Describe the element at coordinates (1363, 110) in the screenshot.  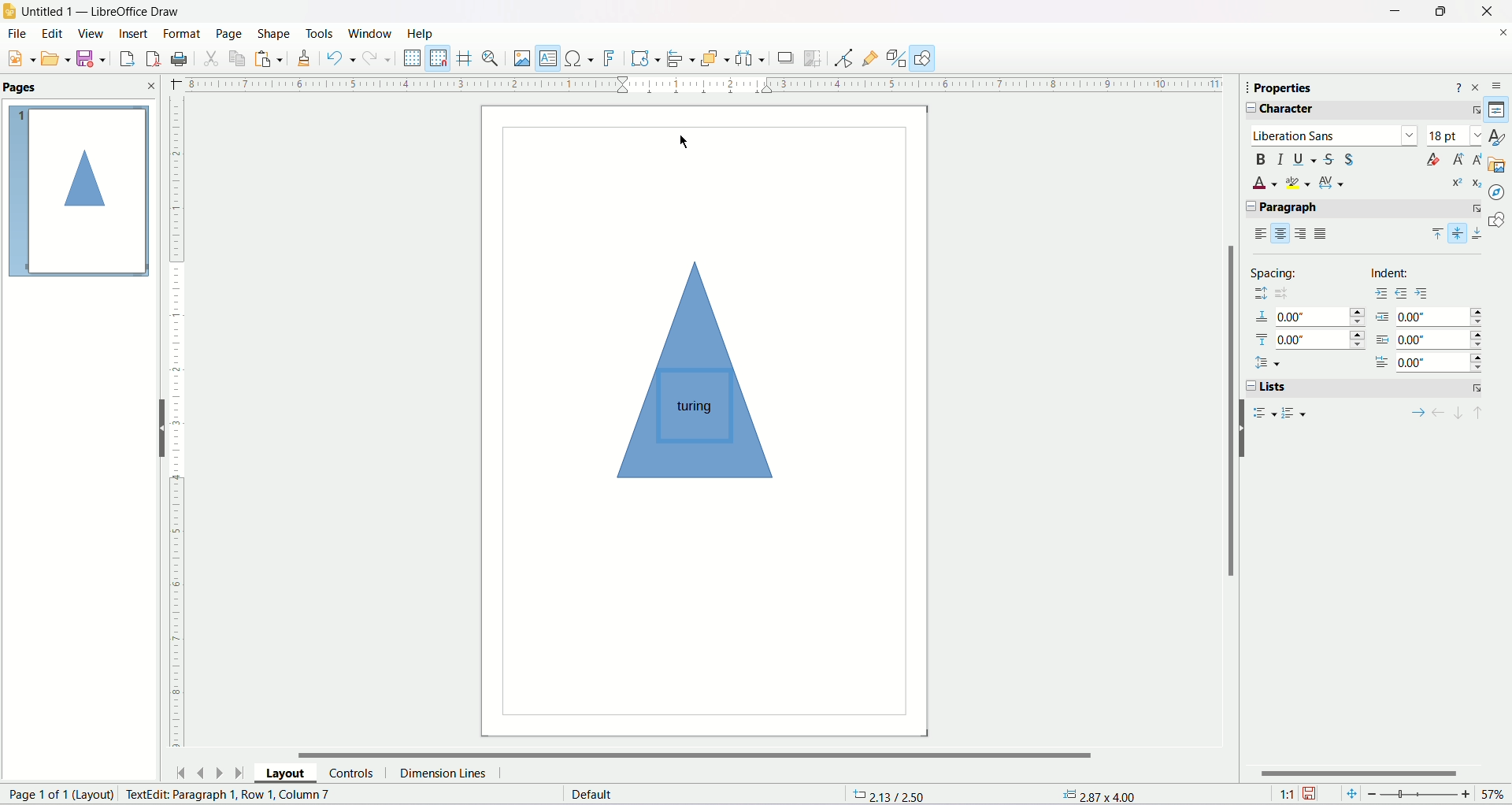
I see `character` at that location.